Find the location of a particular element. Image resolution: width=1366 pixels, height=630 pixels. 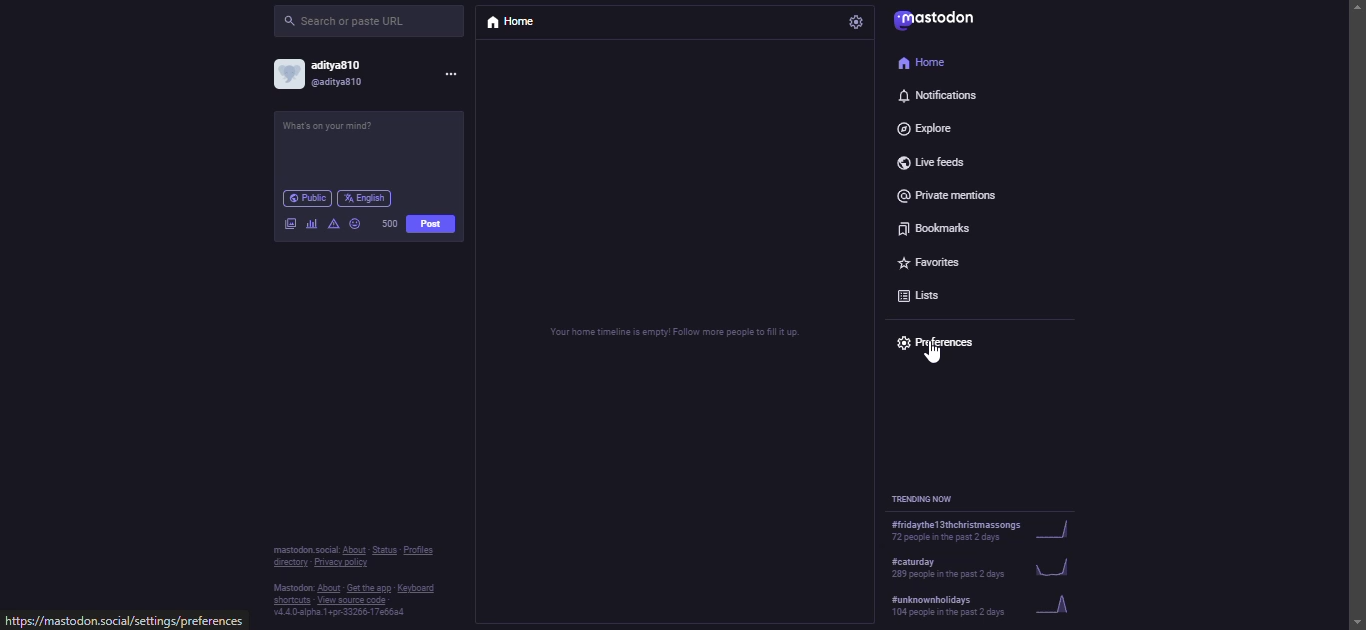

settings is located at coordinates (857, 22).